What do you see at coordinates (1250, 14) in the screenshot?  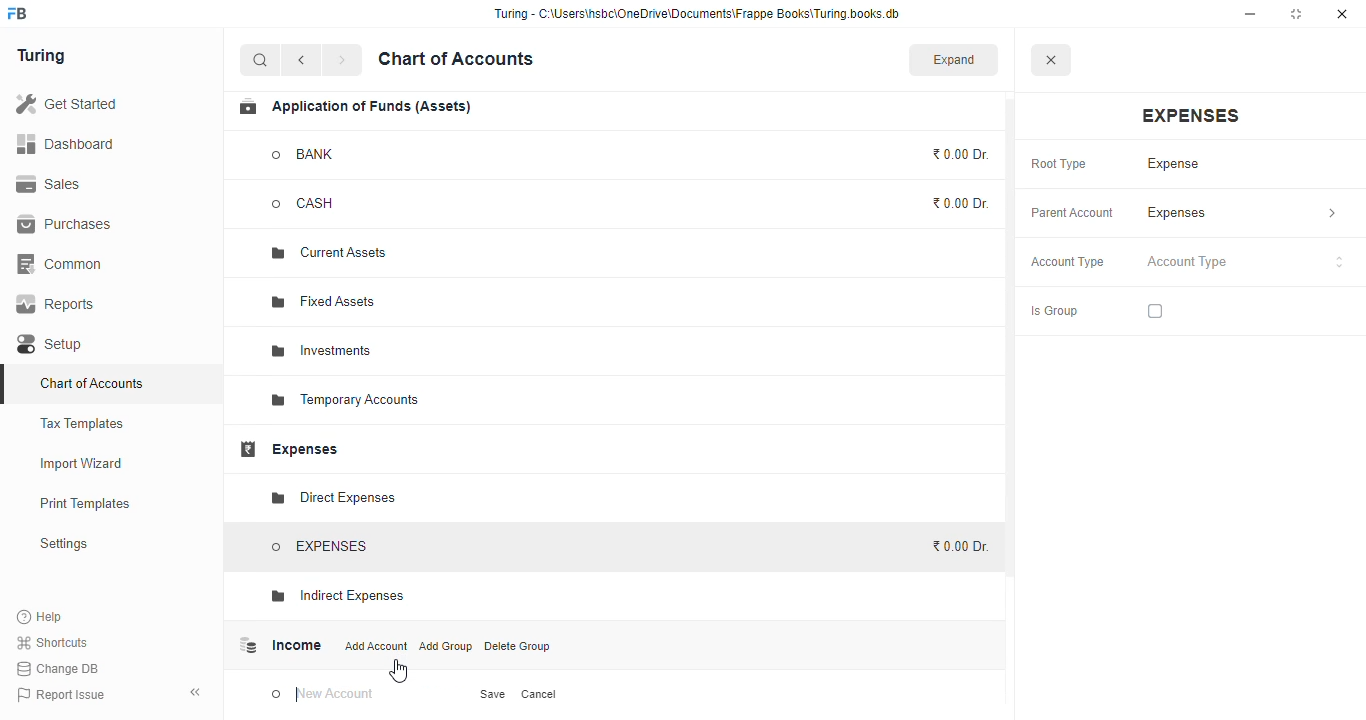 I see `minimize` at bounding box center [1250, 14].